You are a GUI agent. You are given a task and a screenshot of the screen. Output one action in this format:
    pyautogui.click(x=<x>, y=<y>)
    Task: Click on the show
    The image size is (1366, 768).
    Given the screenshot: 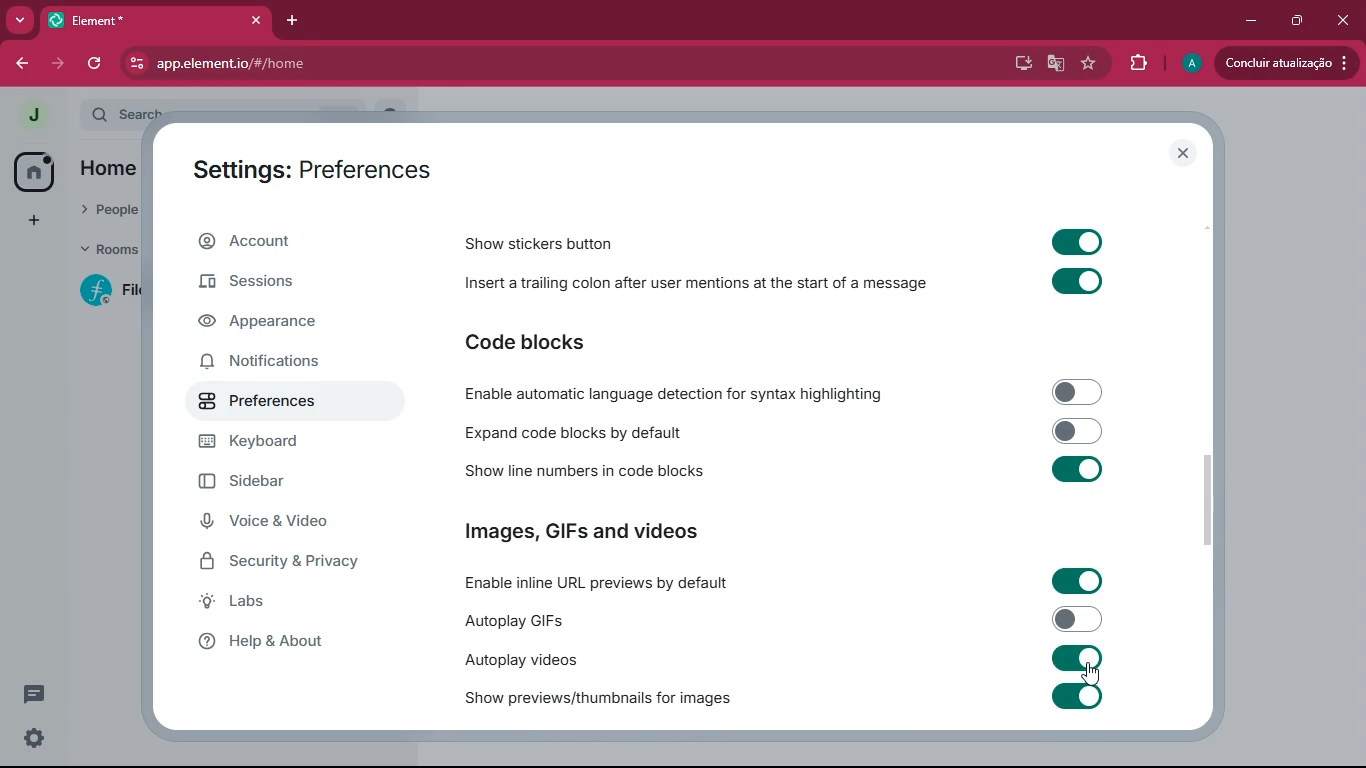 What is the action you would take?
    pyautogui.click(x=598, y=699)
    